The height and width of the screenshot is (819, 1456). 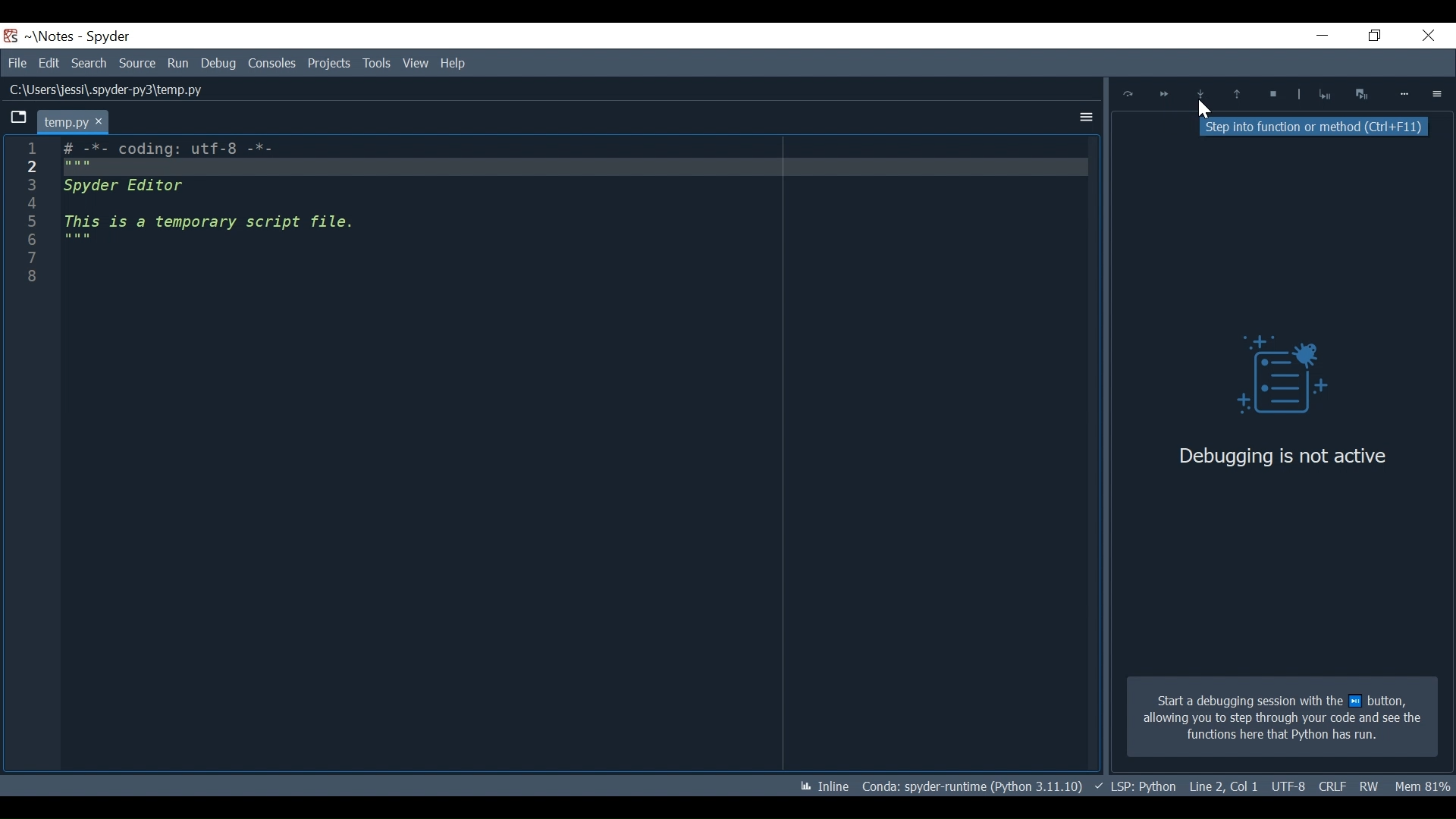 I want to click on Language, so click(x=1134, y=786).